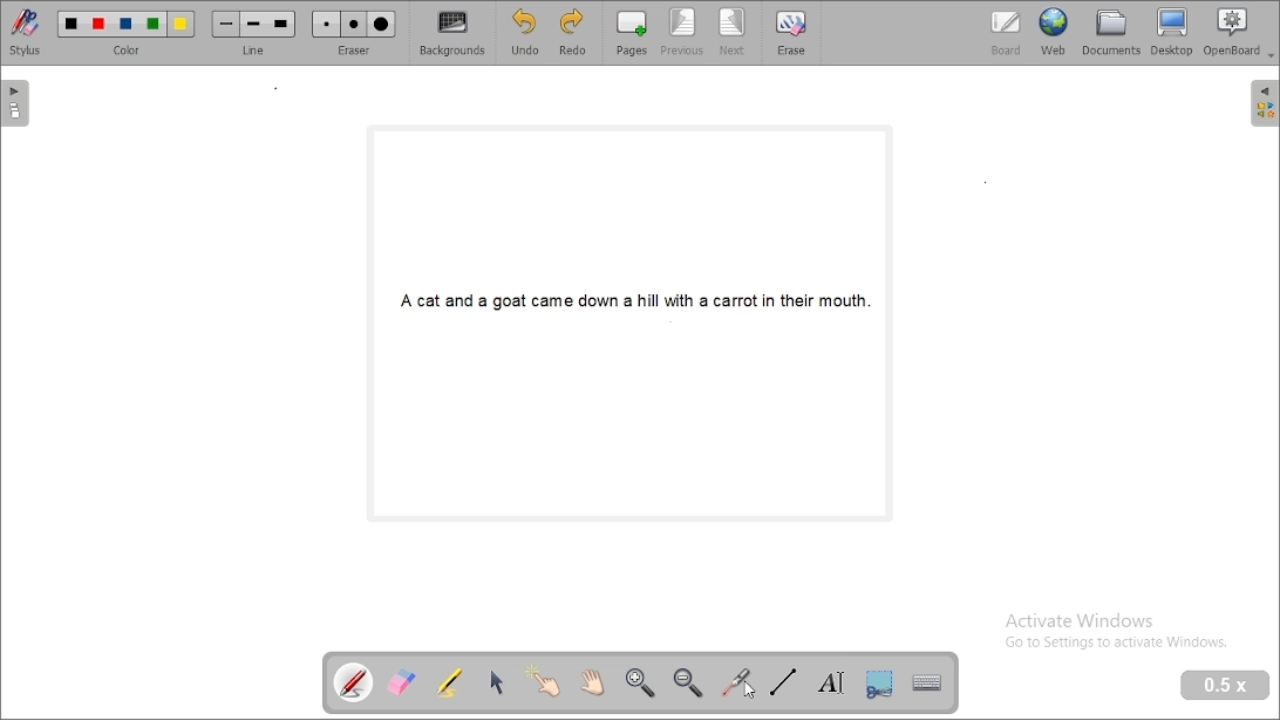  Describe the element at coordinates (631, 33) in the screenshot. I see `pages` at that location.